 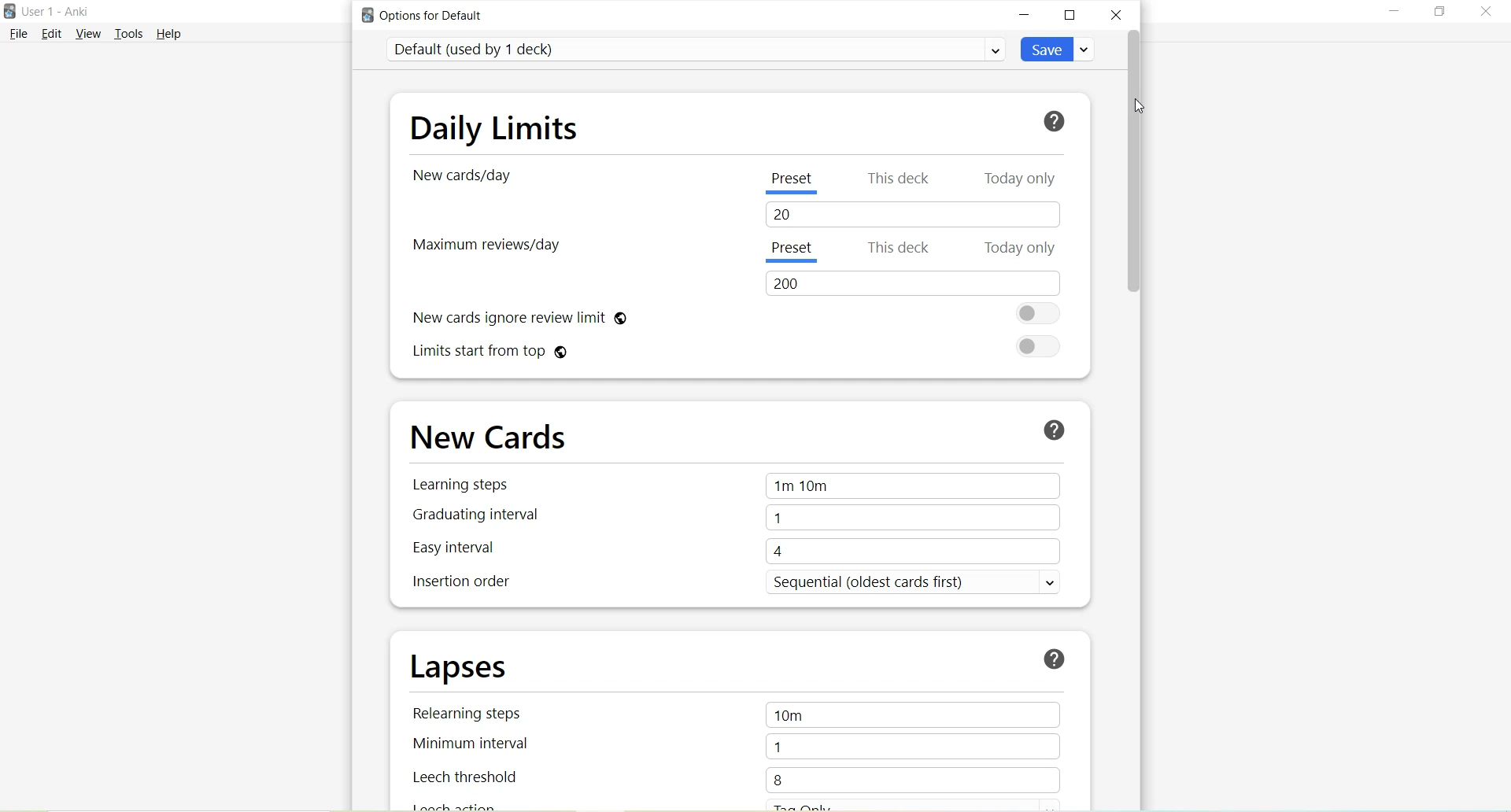 I want to click on Minimum interval, so click(x=470, y=746).